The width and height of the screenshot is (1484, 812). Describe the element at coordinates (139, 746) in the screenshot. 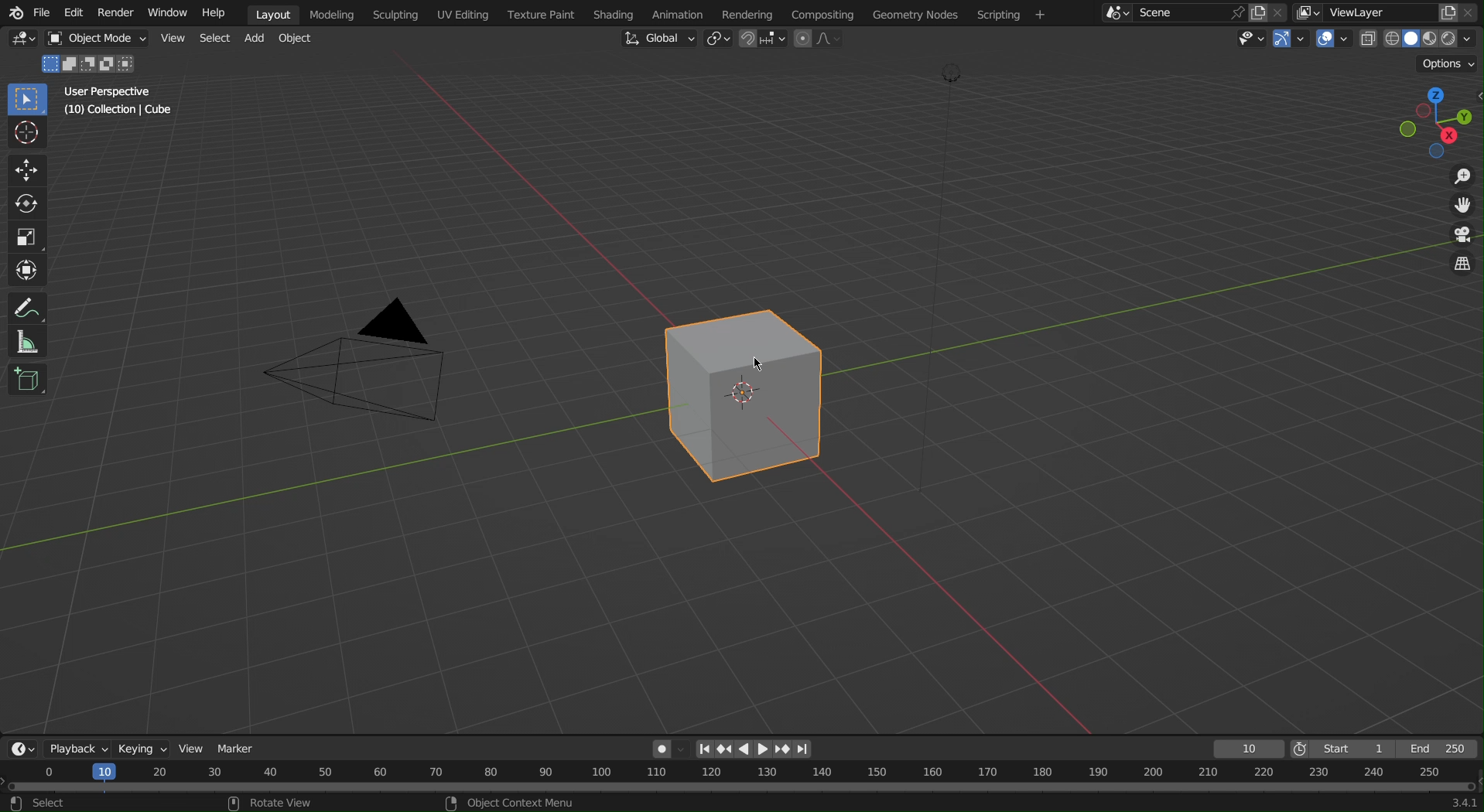

I see `Keying` at that location.